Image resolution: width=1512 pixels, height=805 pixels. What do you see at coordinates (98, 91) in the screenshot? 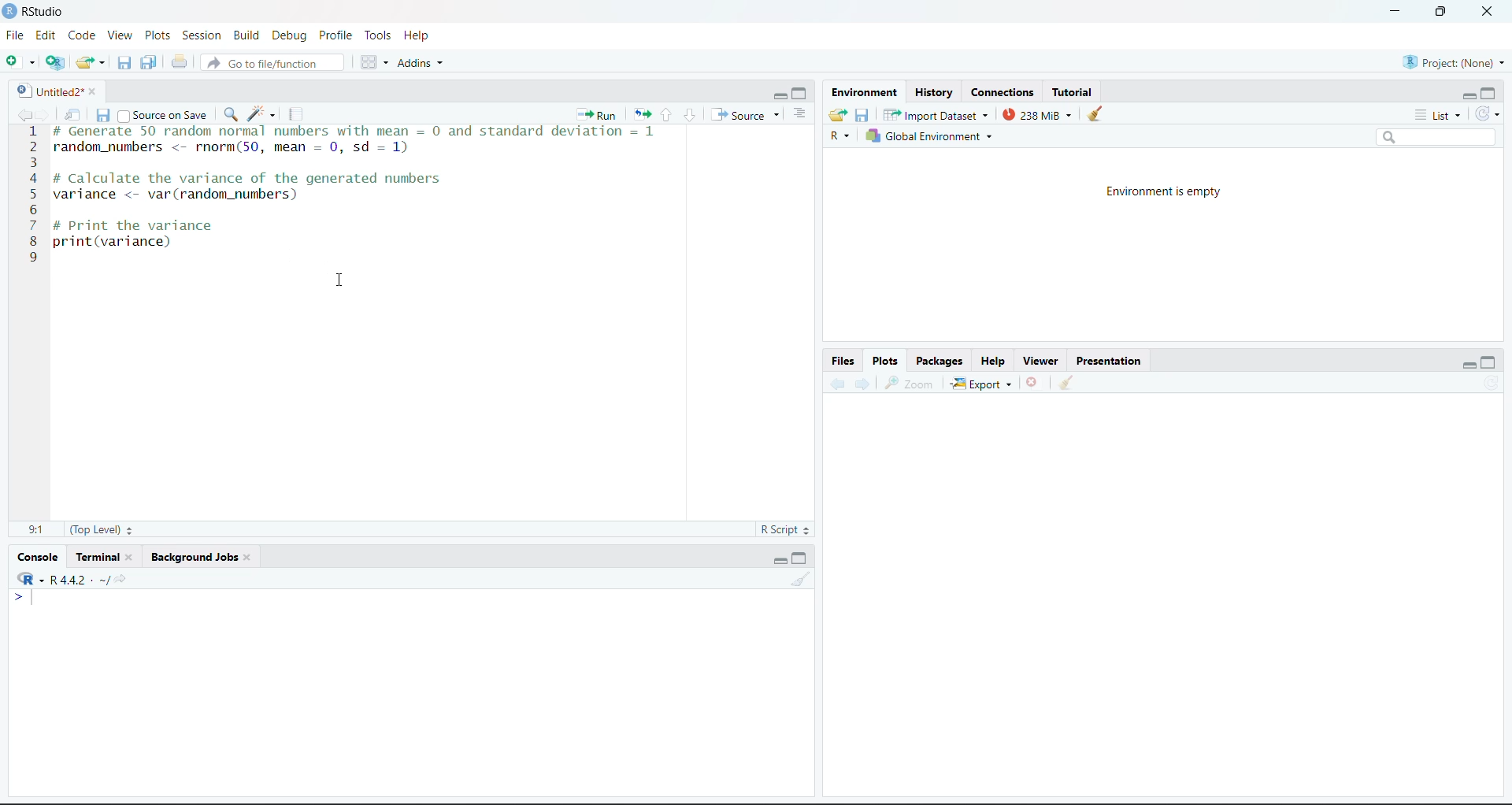
I see `close` at bounding box center [98, 91].